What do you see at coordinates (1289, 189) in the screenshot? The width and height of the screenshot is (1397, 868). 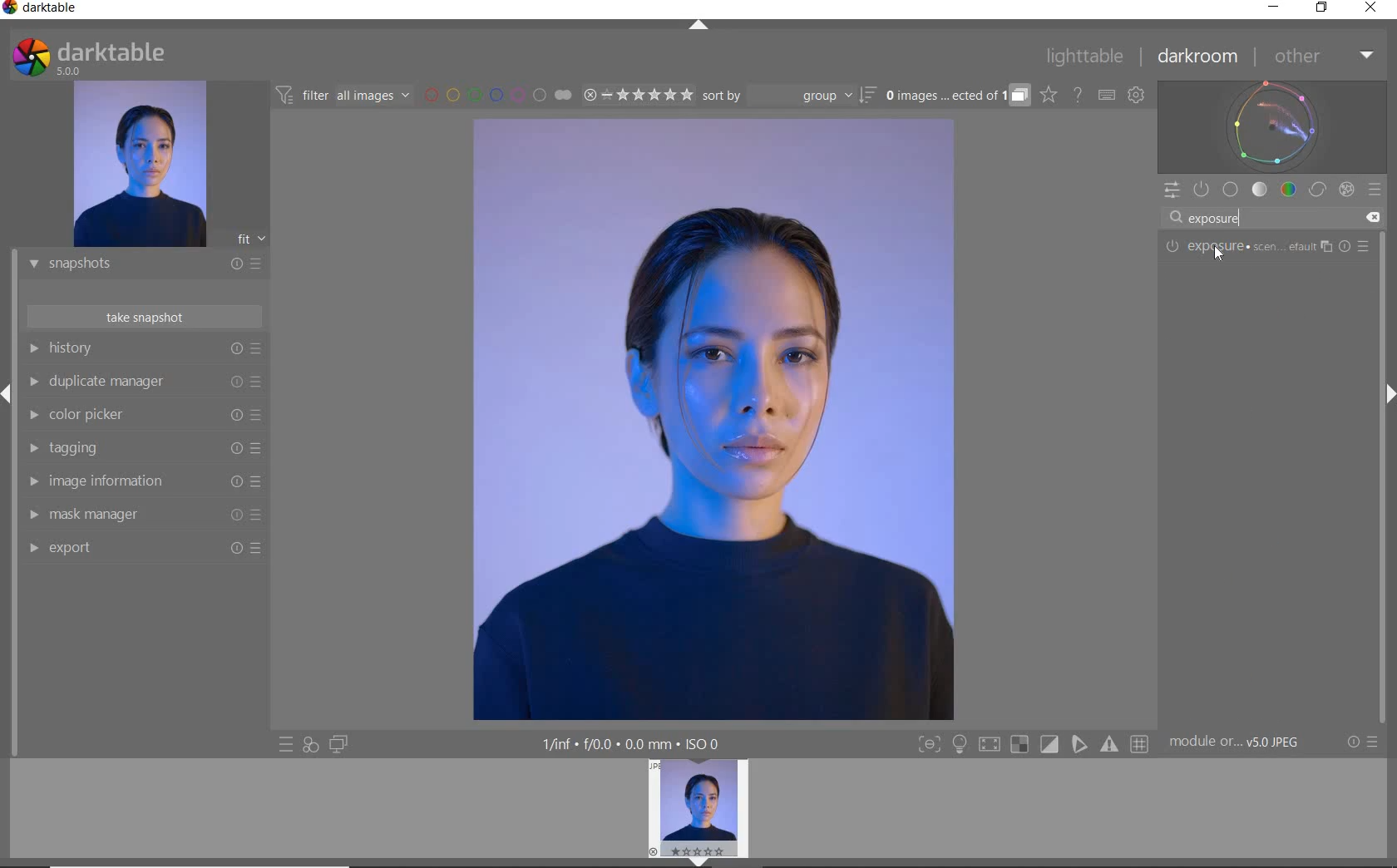 I see `COLOR` at bounding box center [1289, 189].